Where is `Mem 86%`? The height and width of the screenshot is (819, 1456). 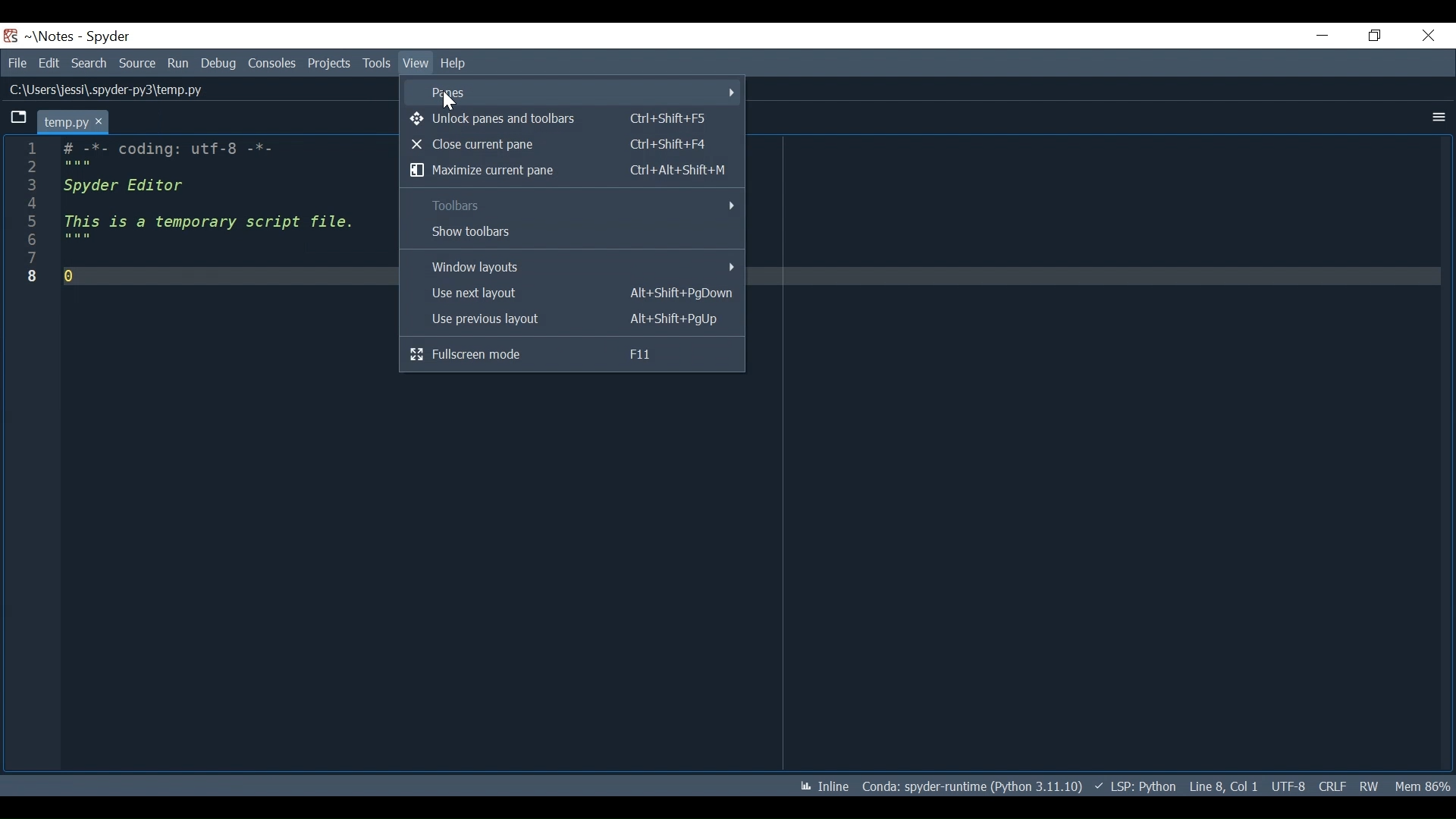 Mem 86% is located at coordinates (1423, 787).